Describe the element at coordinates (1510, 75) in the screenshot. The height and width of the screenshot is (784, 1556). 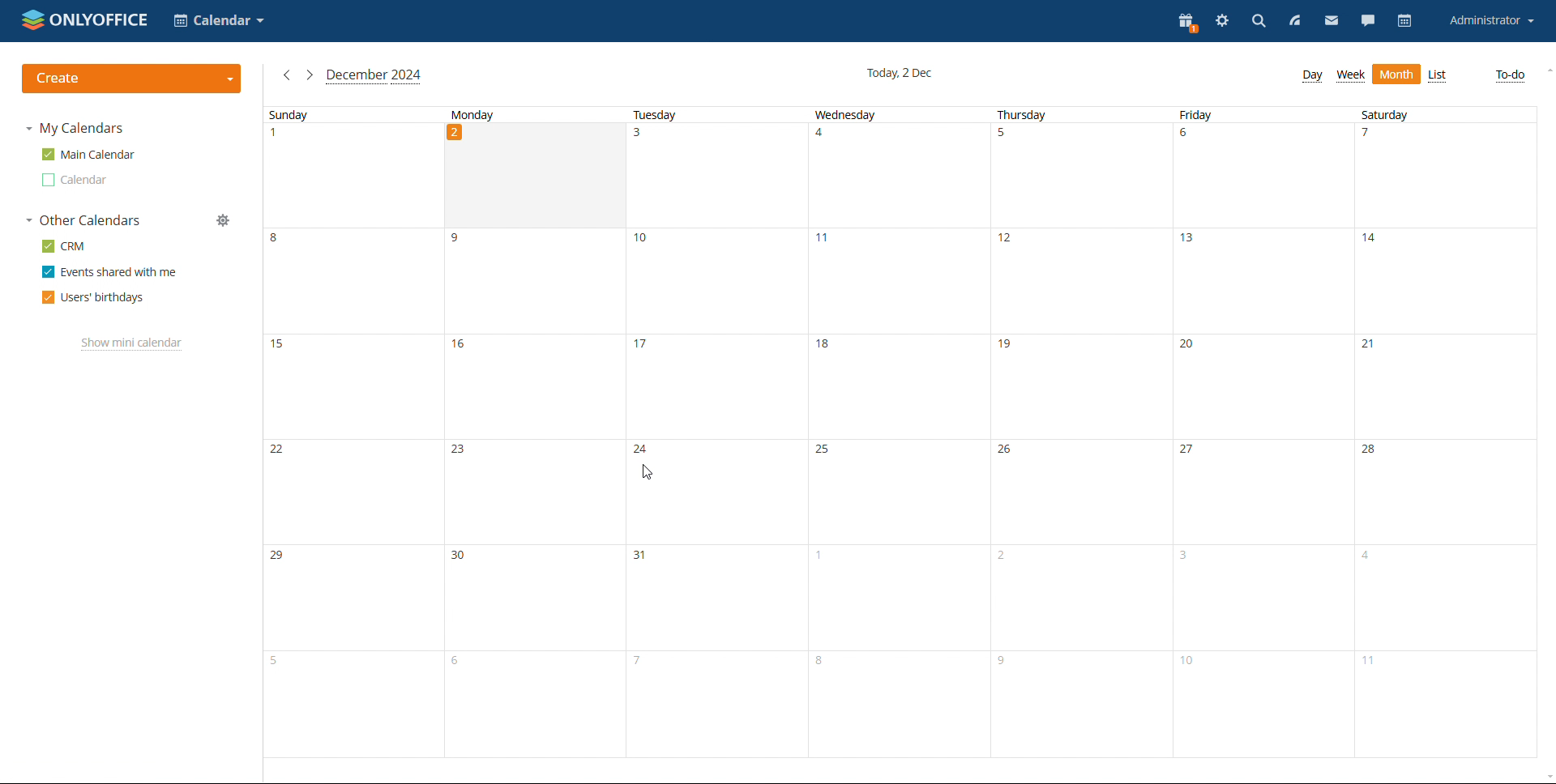
I see `To-do` at that location.